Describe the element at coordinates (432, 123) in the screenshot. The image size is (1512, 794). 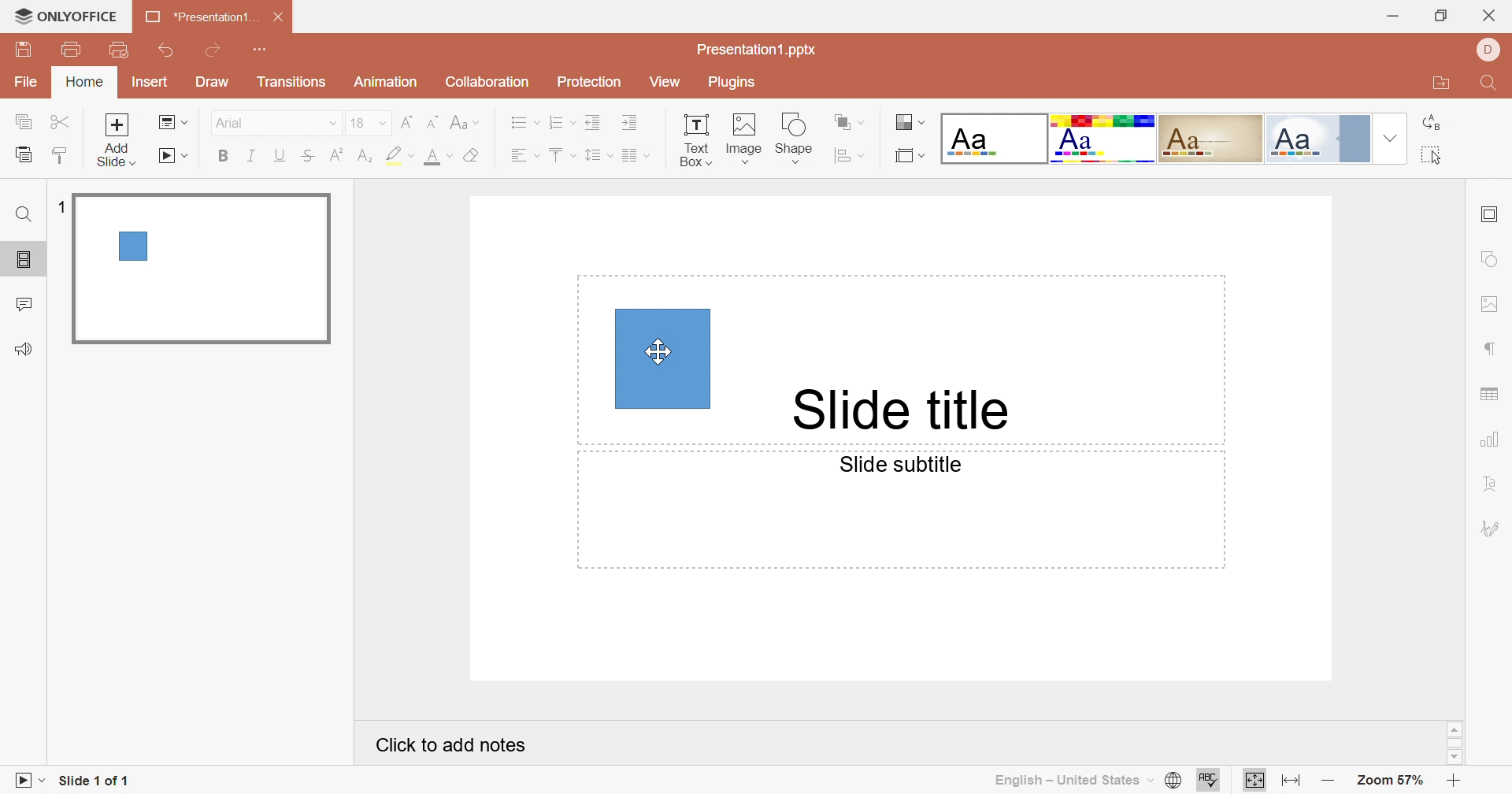
I see `Decrement font size` at that location.